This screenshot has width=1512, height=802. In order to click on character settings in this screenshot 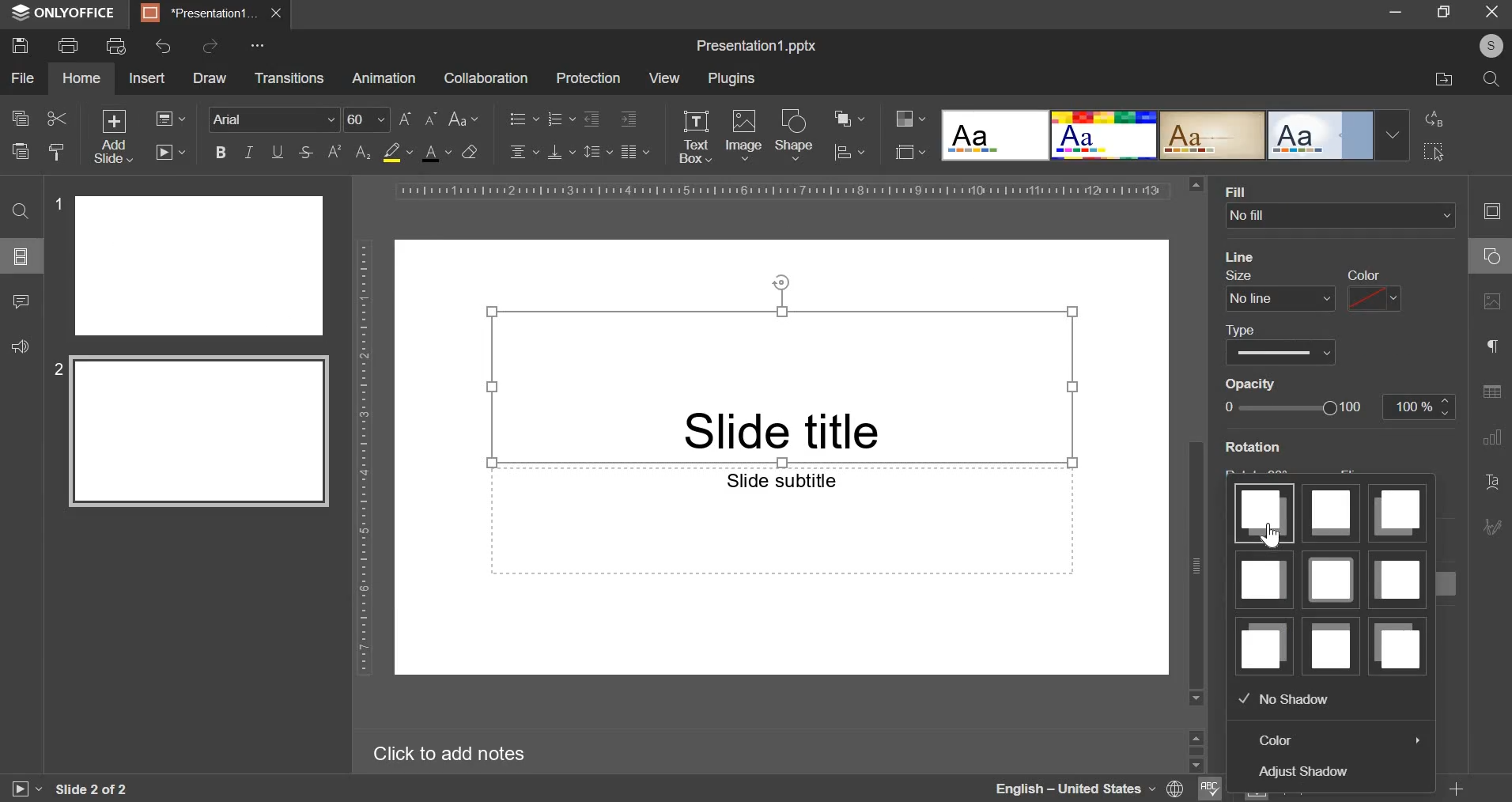, I will do `click(1495, 350)`.